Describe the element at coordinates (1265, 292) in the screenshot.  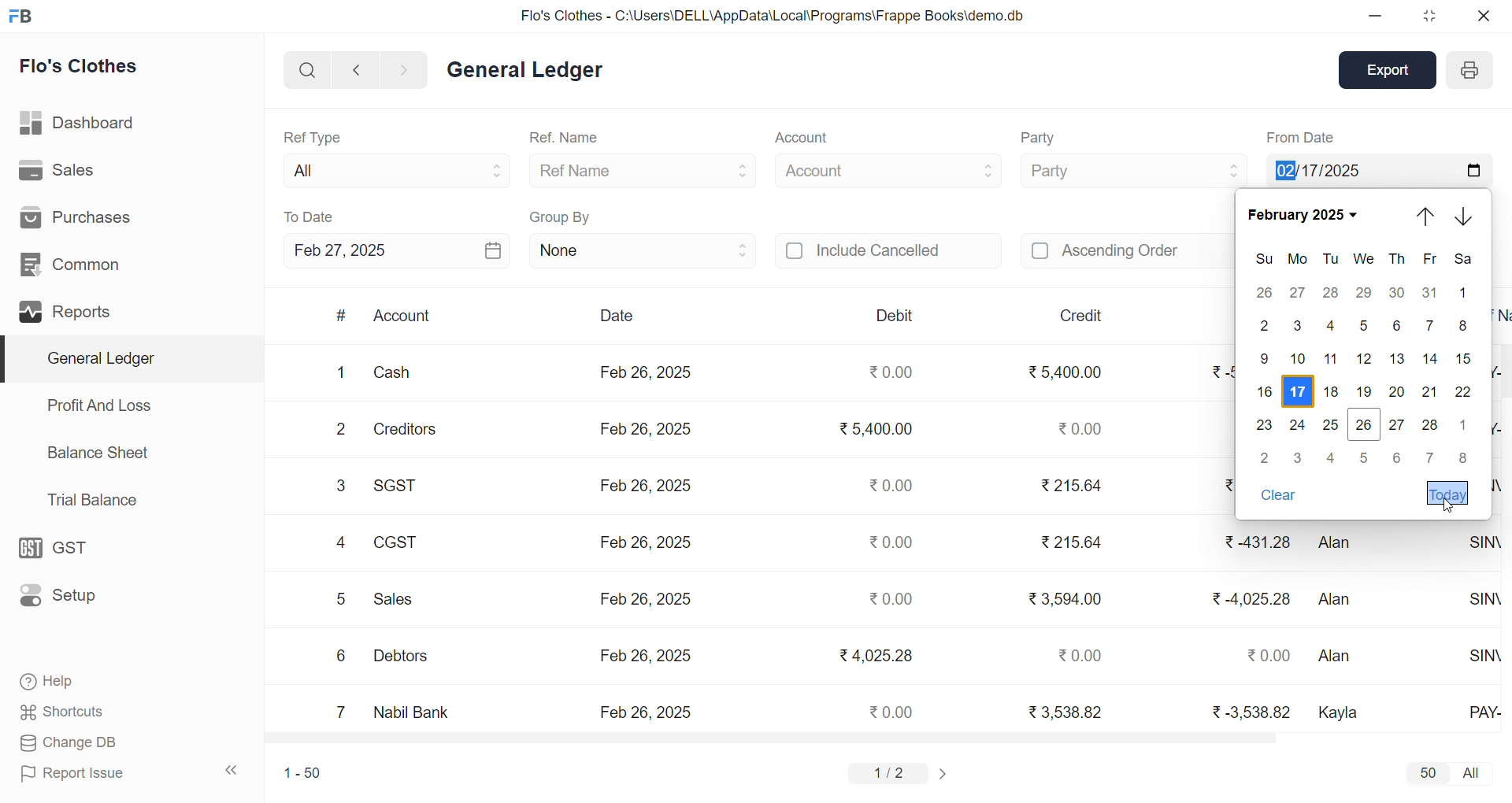
I see `26` at that location.